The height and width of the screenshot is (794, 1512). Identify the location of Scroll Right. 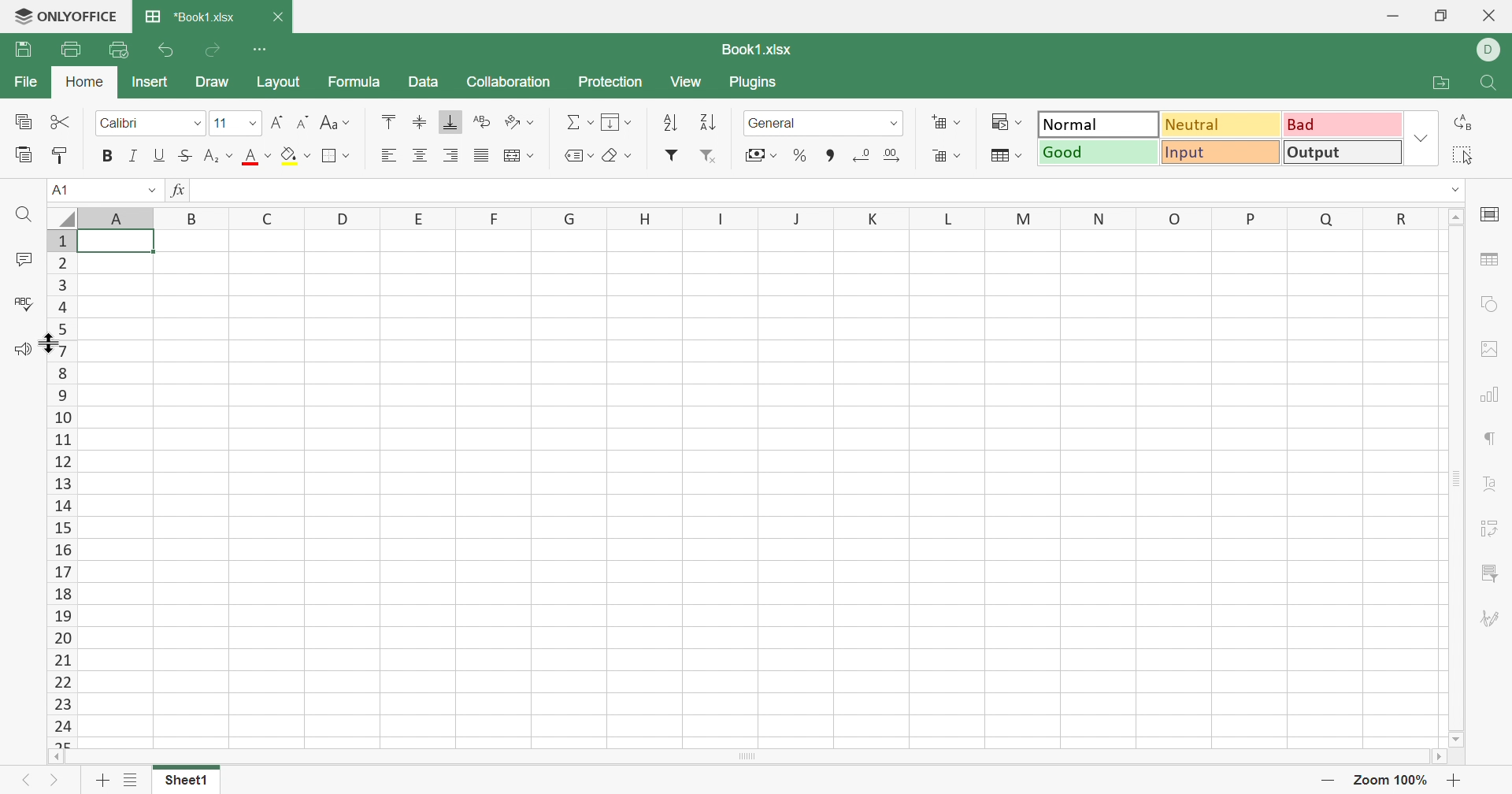
(1443, 756).